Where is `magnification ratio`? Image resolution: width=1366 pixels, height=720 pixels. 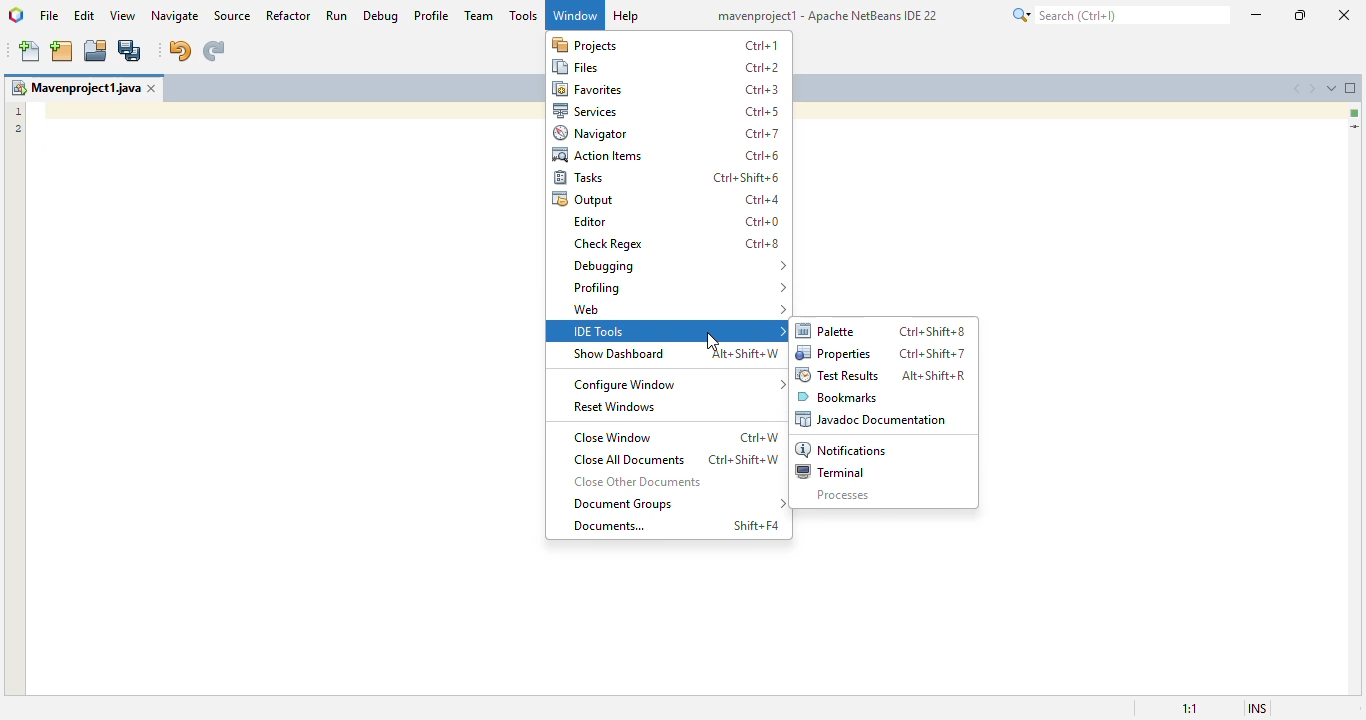
magnification ratio is located at coordinates (1185, 706).